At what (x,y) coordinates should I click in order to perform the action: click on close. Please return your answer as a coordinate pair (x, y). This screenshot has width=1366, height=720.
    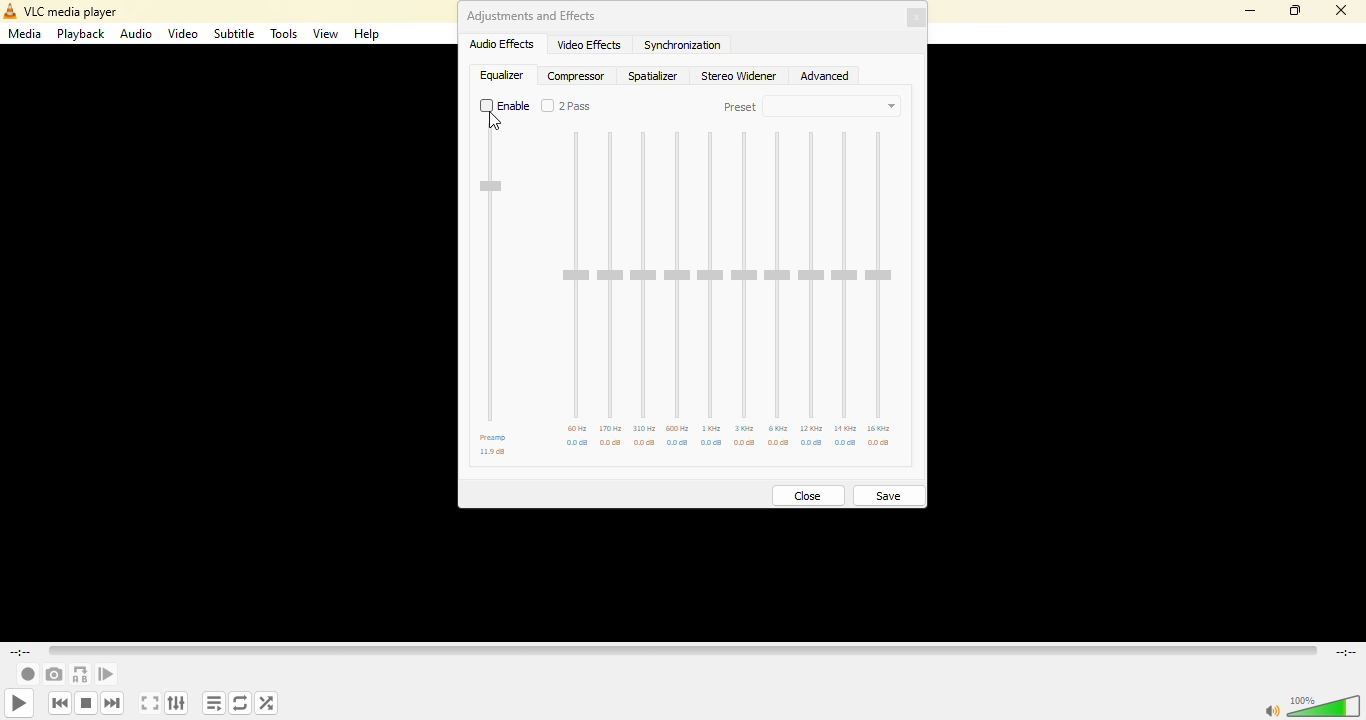
    Looking at the image, I should click on (809, 493).